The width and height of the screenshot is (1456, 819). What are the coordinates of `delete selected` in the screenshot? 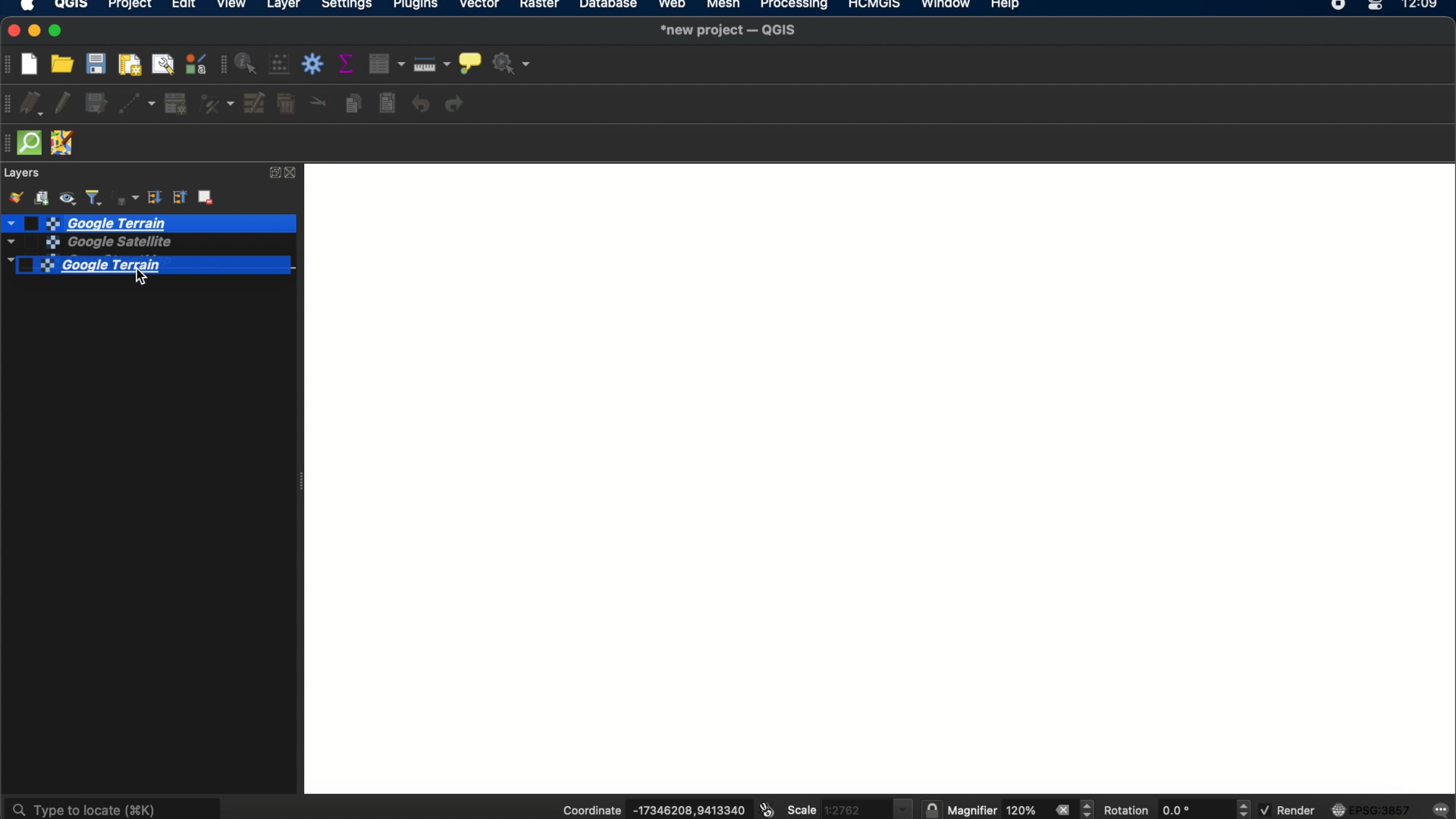 It's located at (286, 105).